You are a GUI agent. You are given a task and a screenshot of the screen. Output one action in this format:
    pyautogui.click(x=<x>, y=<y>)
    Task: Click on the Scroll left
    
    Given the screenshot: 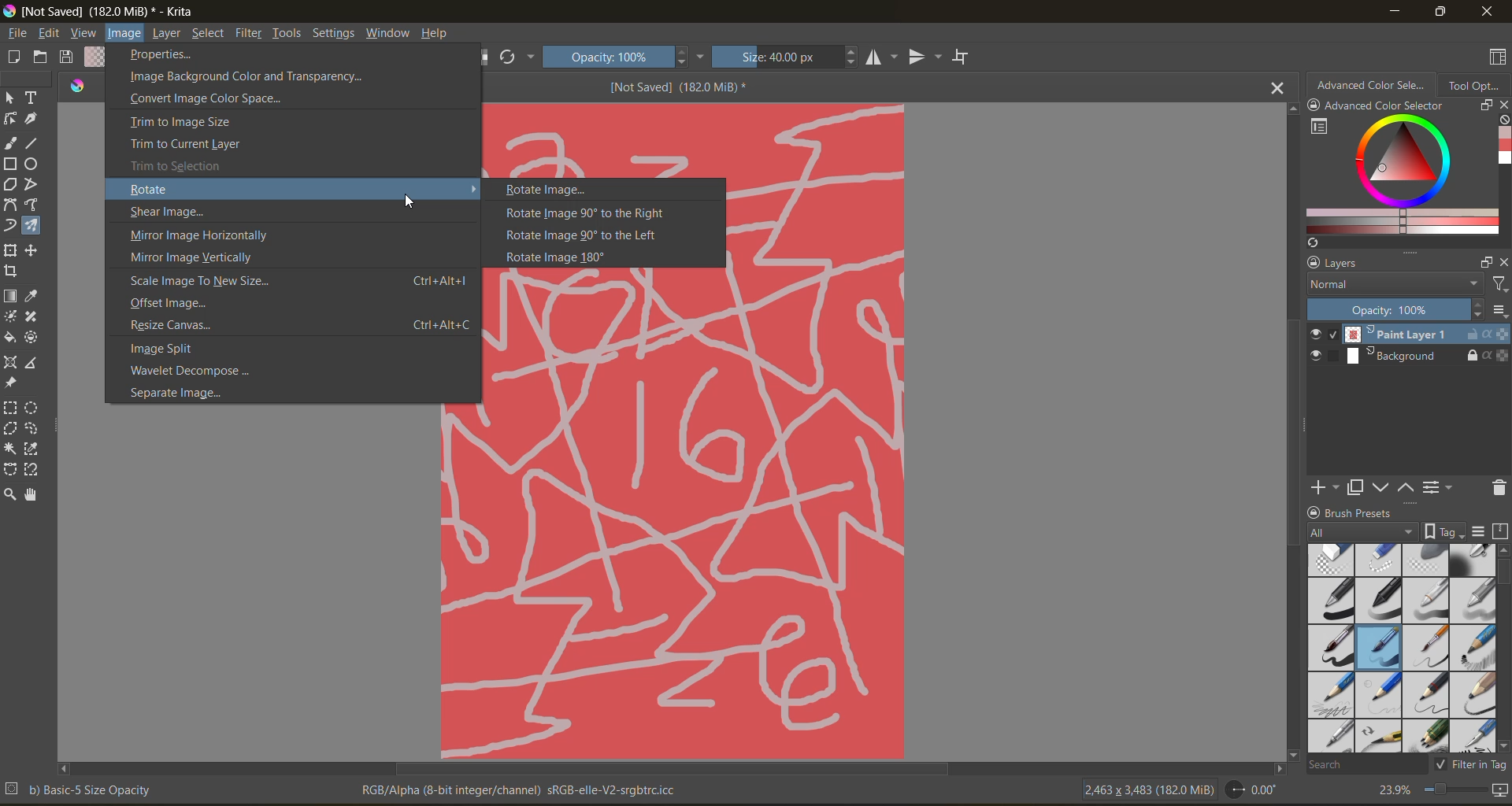 What is the action you would take?
    pyautogui.click(x=65, y=766)
    